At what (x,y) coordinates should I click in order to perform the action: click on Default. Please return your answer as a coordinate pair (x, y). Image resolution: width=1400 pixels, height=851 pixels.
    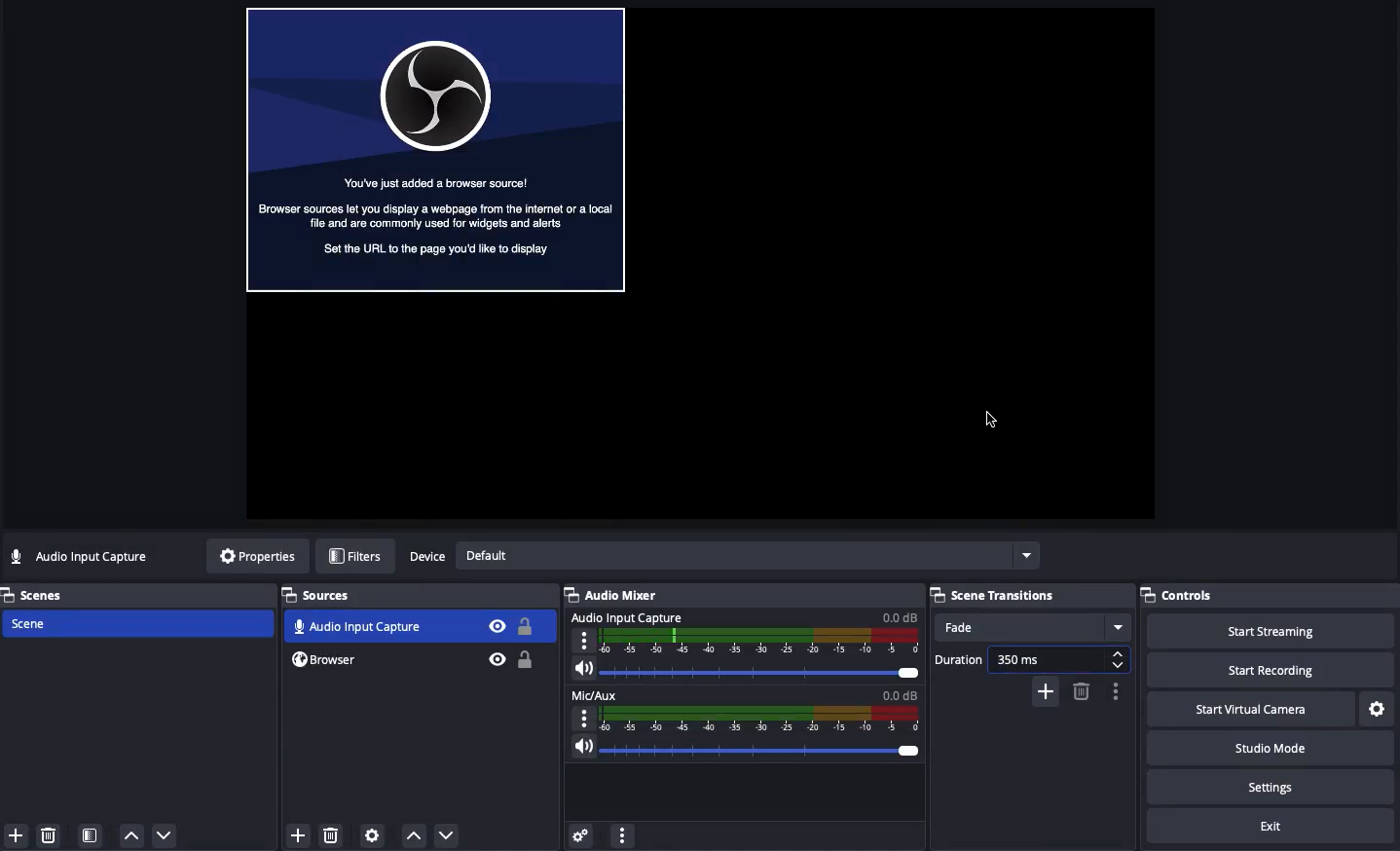
    Looking at the image, I should click on (750, 552).